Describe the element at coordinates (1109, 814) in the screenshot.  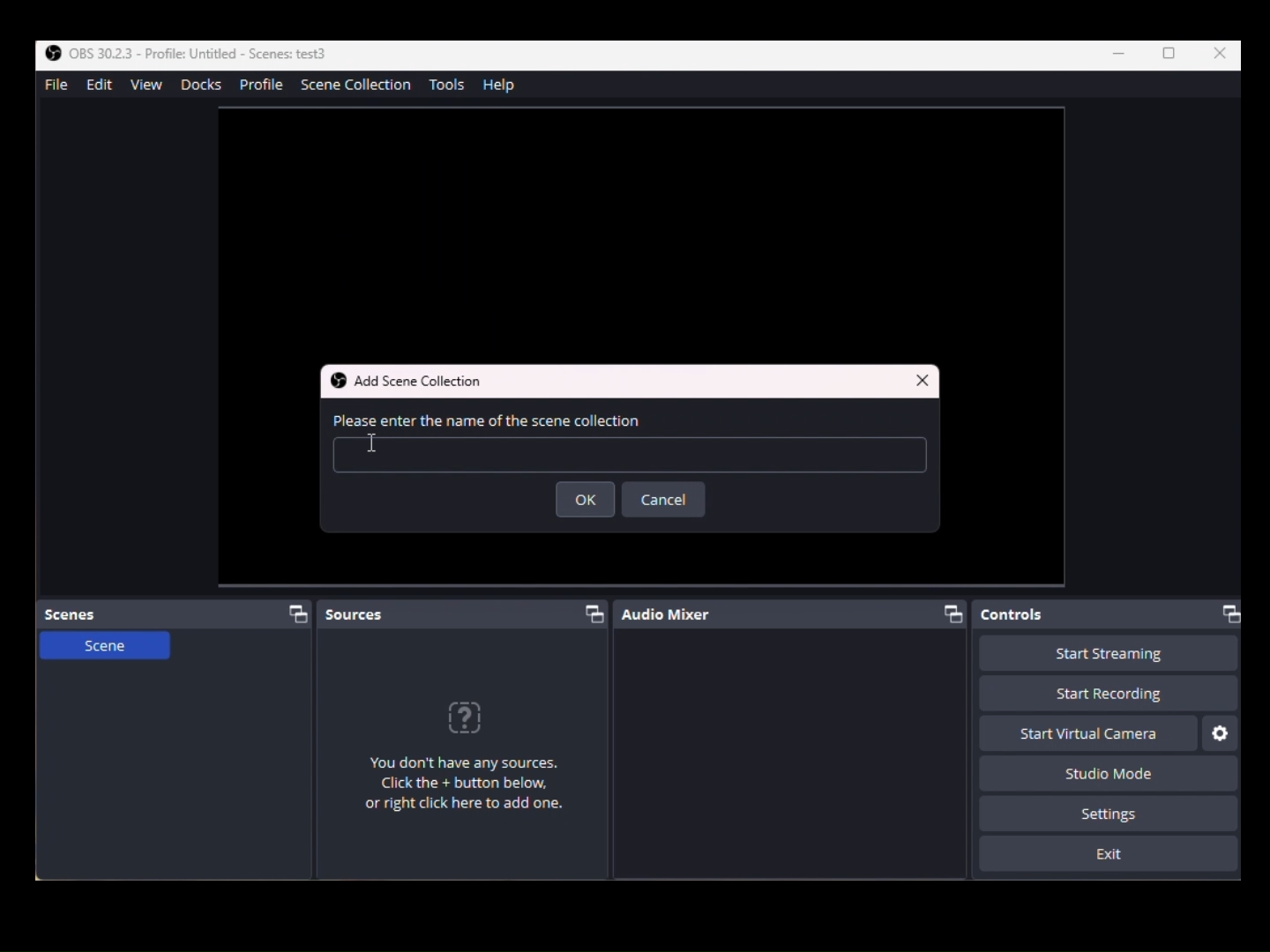
I see `Settings` at that location.